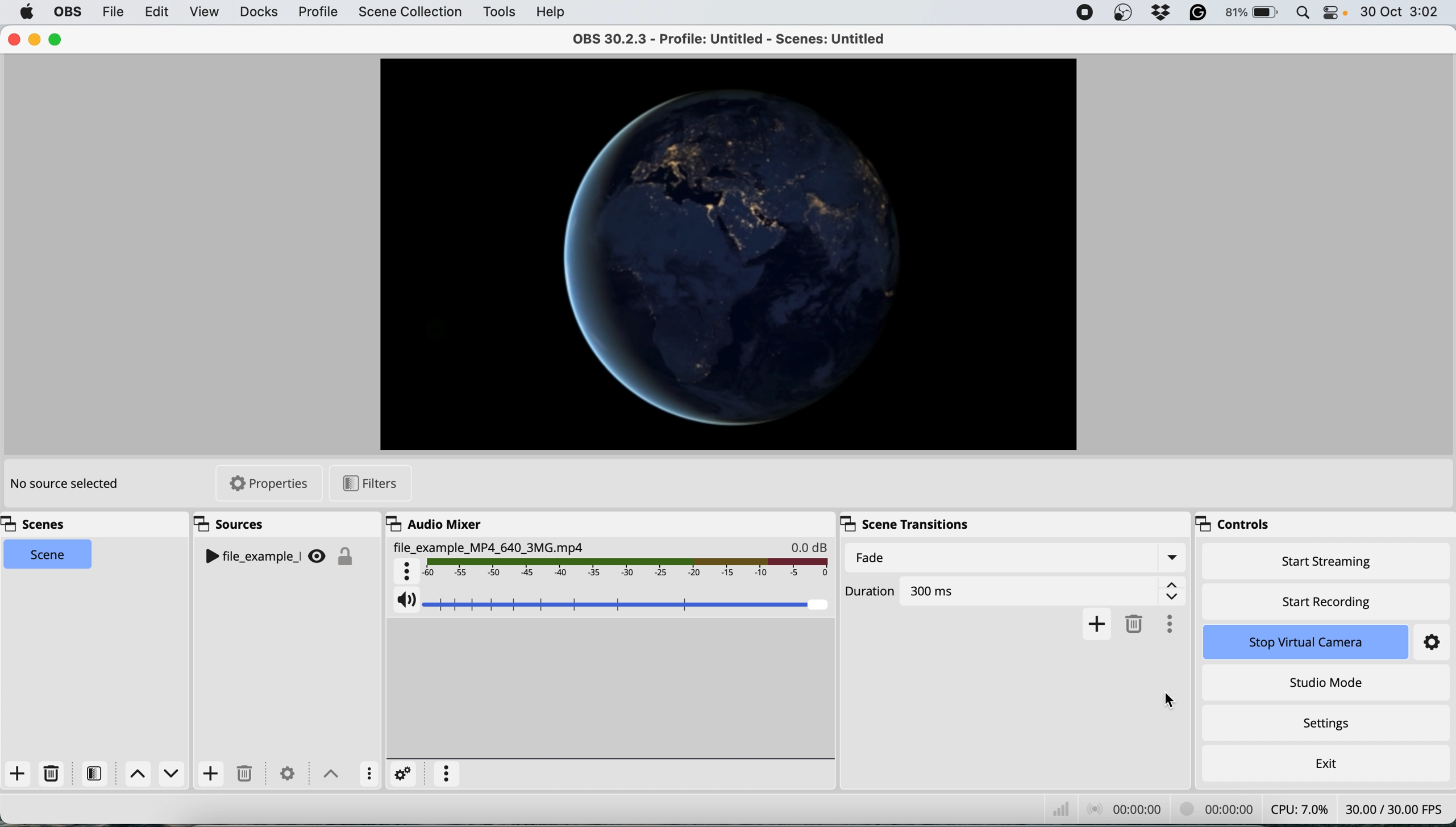 The image size is (1456, 827). What do you see at coordinates (27, 12) in the screenshot?
I see `system logo` at bounding box center [27, 12].